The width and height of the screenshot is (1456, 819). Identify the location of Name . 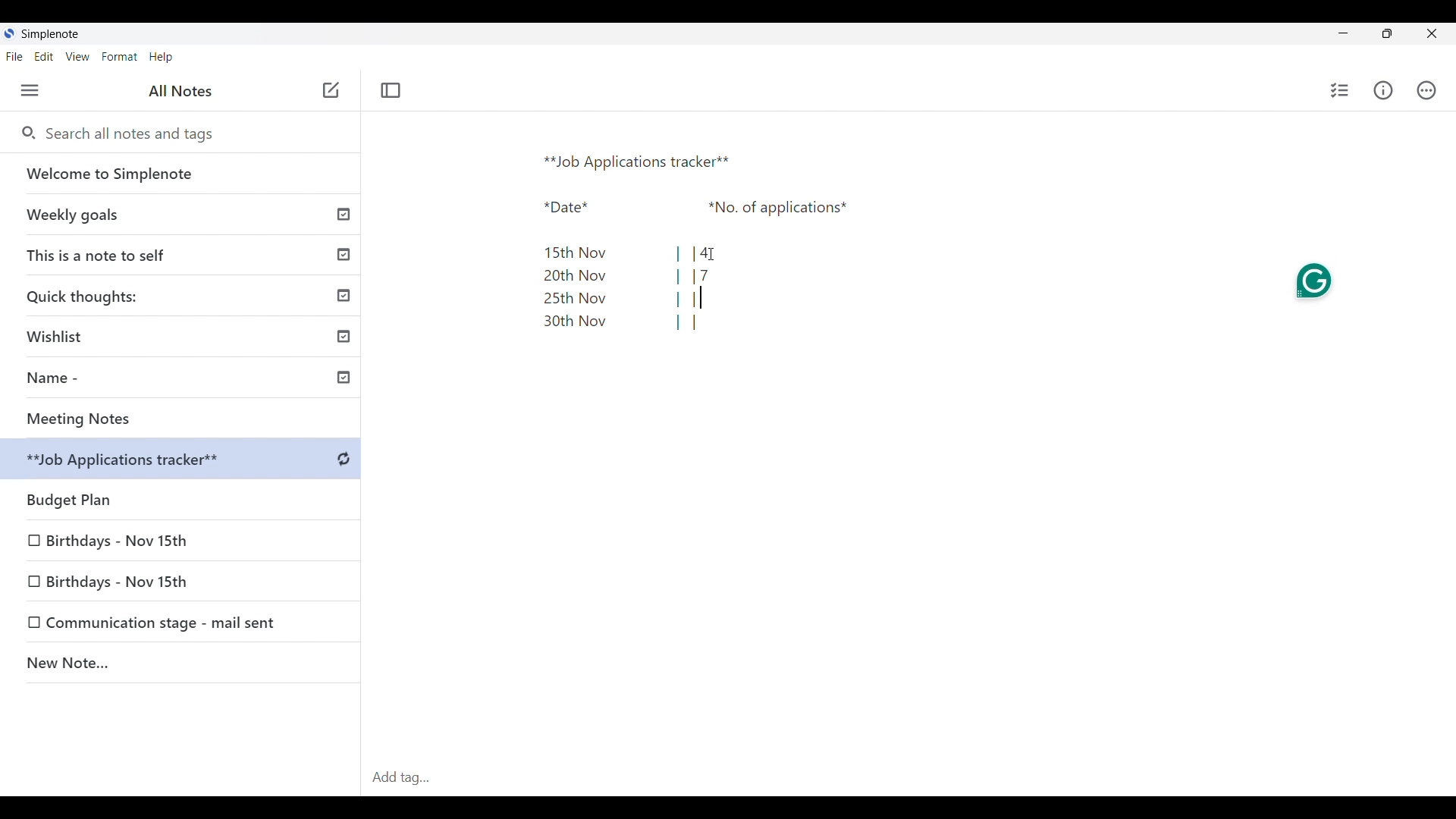
(187, 380).